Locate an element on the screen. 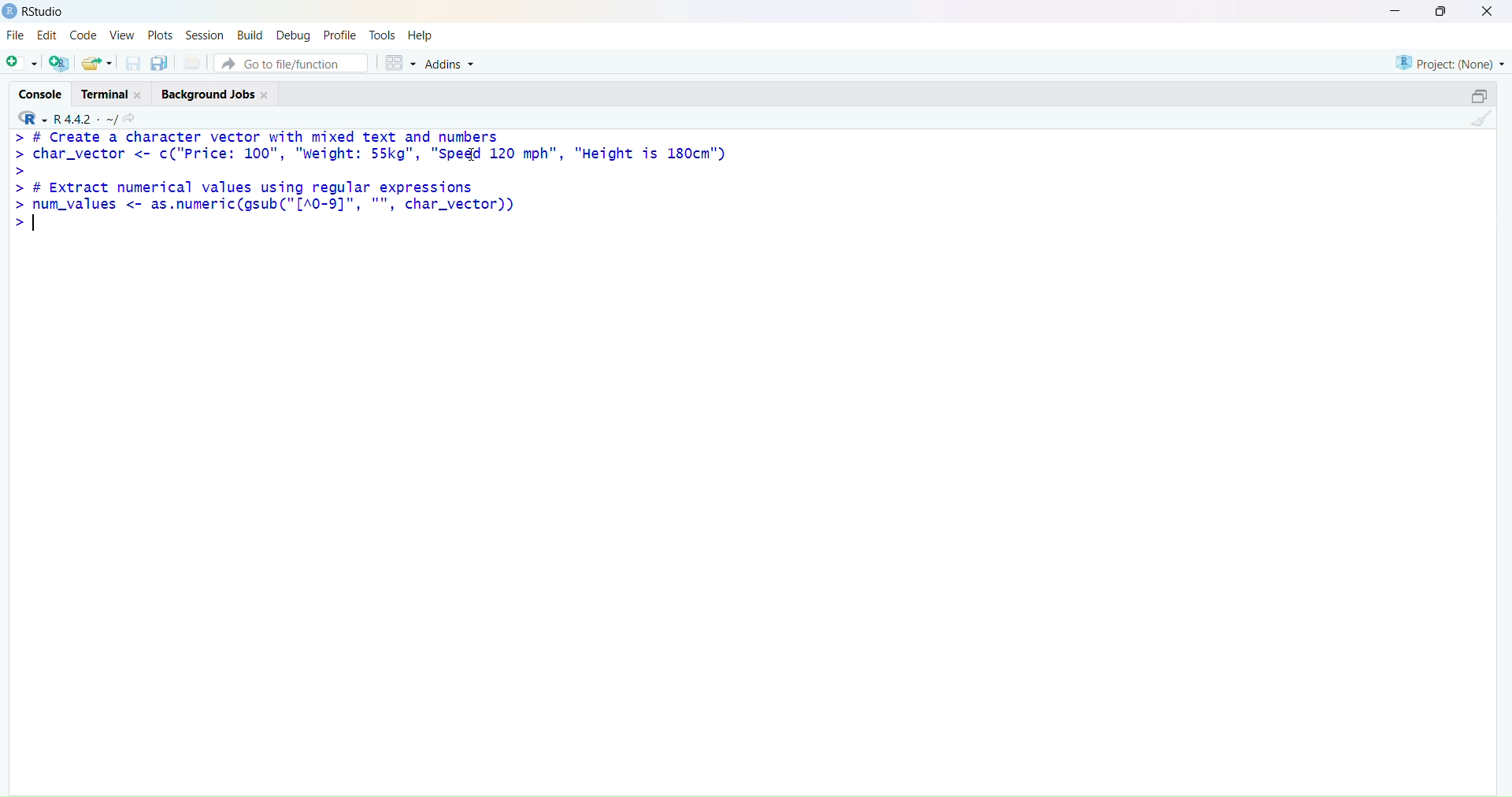 The width and height of the screenshot is (1512, 797). grid view is located at coordinates (401, 63).